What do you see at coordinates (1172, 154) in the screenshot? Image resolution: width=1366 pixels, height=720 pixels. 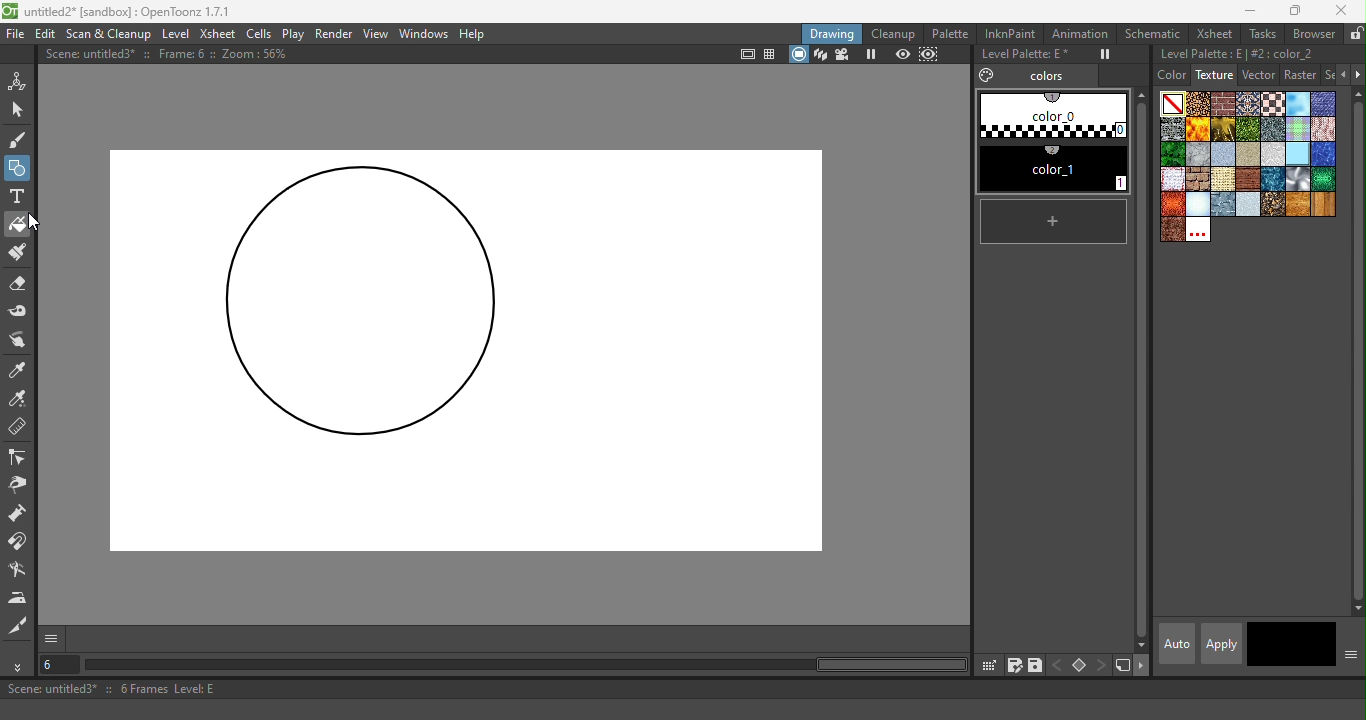 I see `leaves.bmp` at bounding box center [1172, 154].